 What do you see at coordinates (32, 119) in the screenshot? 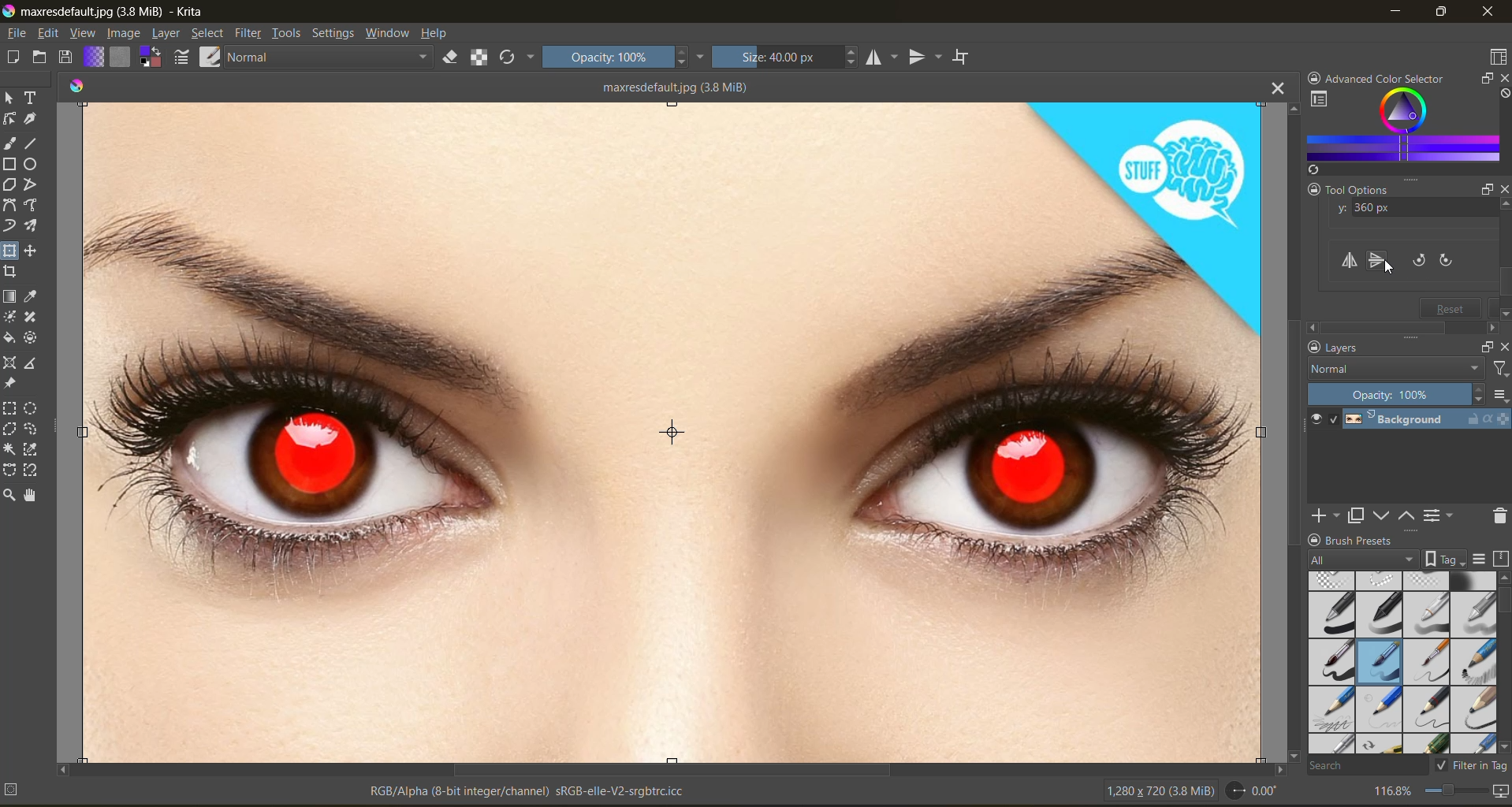
I see `tool` at bounding box center [32, 119].